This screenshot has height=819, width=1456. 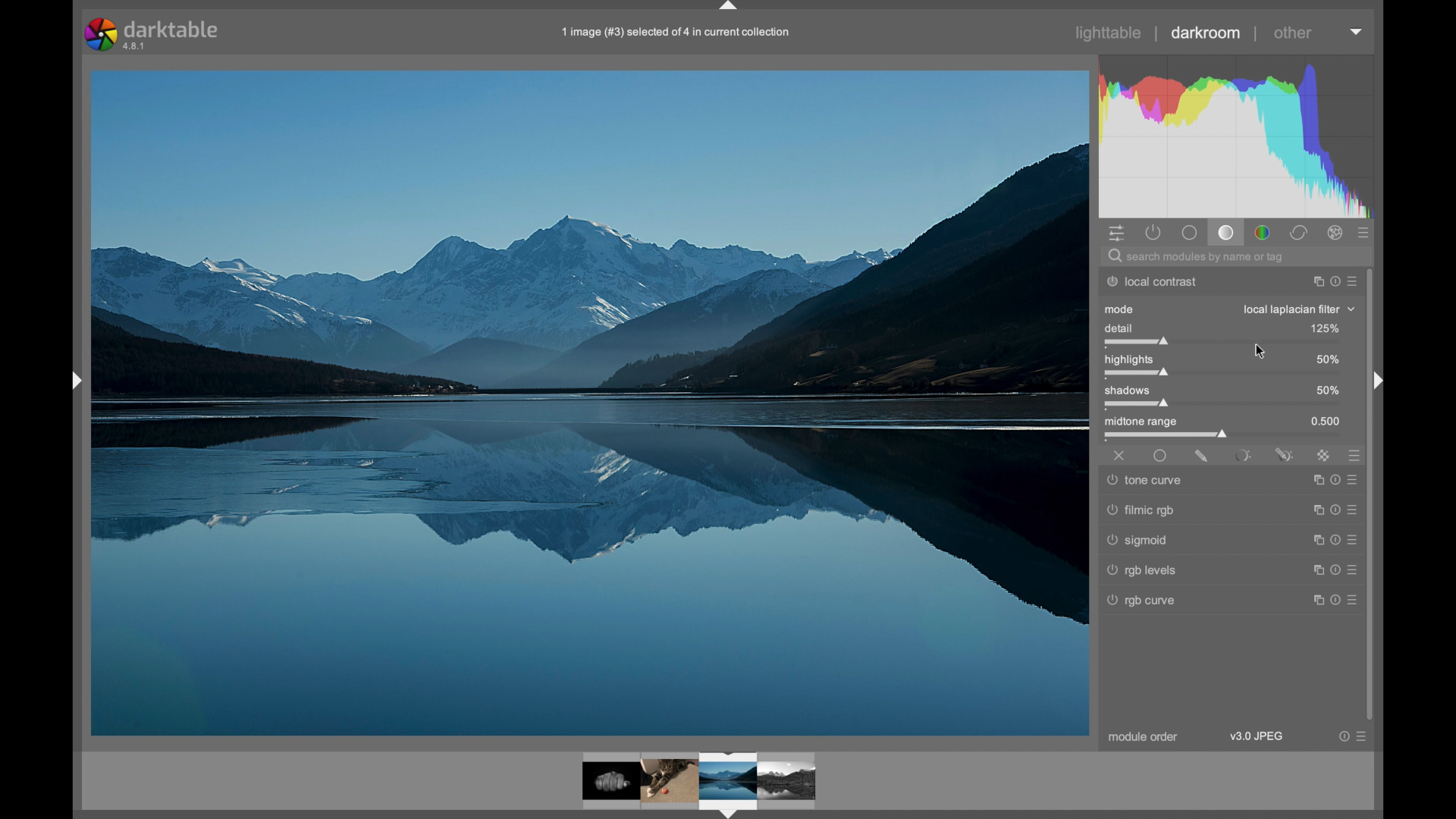 What do you see at coordinates (74, 382) in the screenshot?
I see `drag handle` at bounding box center [74, 382].